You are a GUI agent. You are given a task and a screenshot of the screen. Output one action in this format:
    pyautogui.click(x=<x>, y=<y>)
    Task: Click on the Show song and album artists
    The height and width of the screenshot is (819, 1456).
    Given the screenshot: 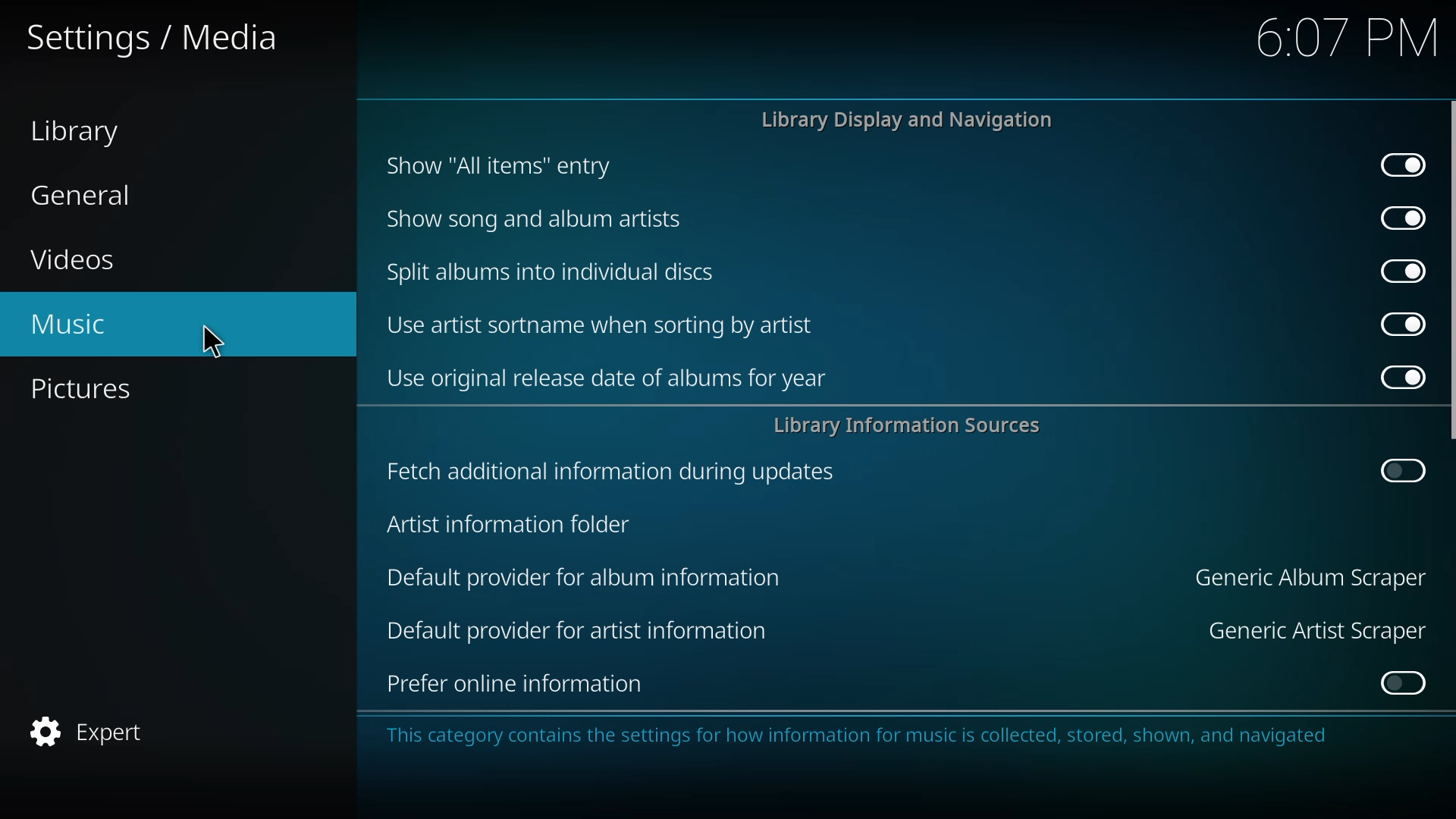 What is the action you would take?
    pyautogui.click(x=539, y=222)
    